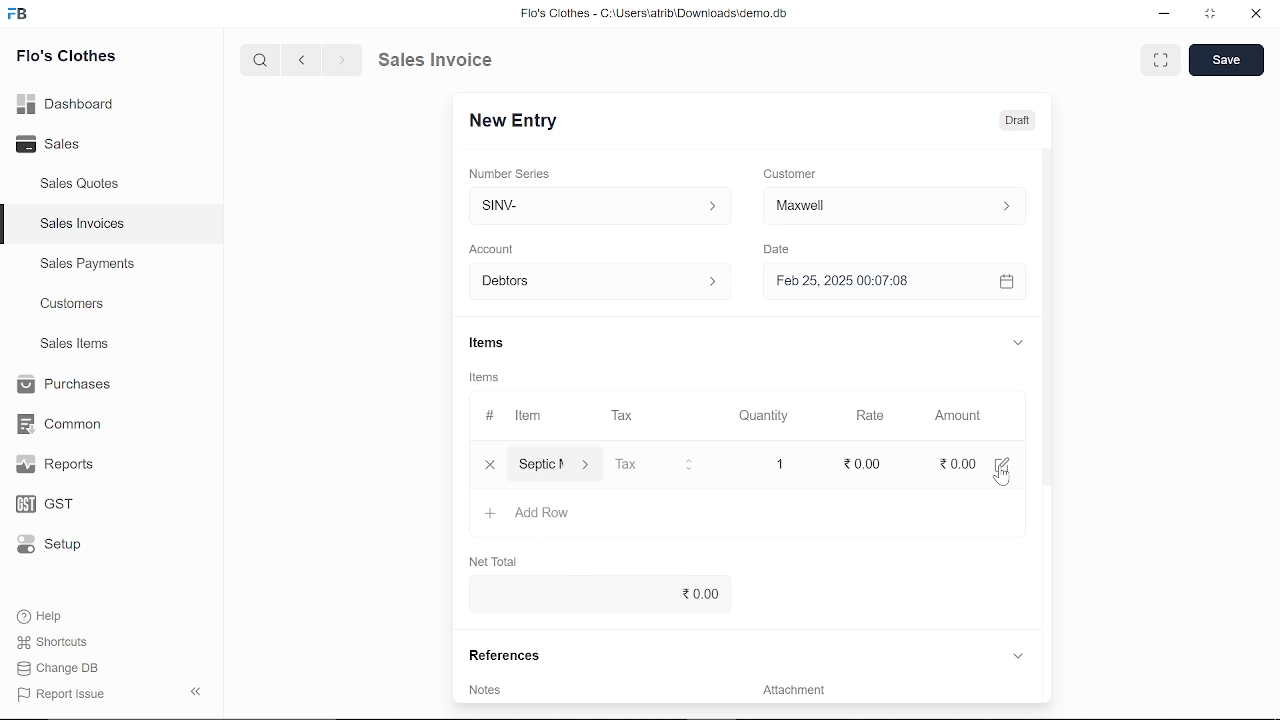 This screenshot has width=1280, height=720. What do you see at coordinates (82, 186) in the screenshot?
I see `Sales Quotes` at bounding box center [82, 186].